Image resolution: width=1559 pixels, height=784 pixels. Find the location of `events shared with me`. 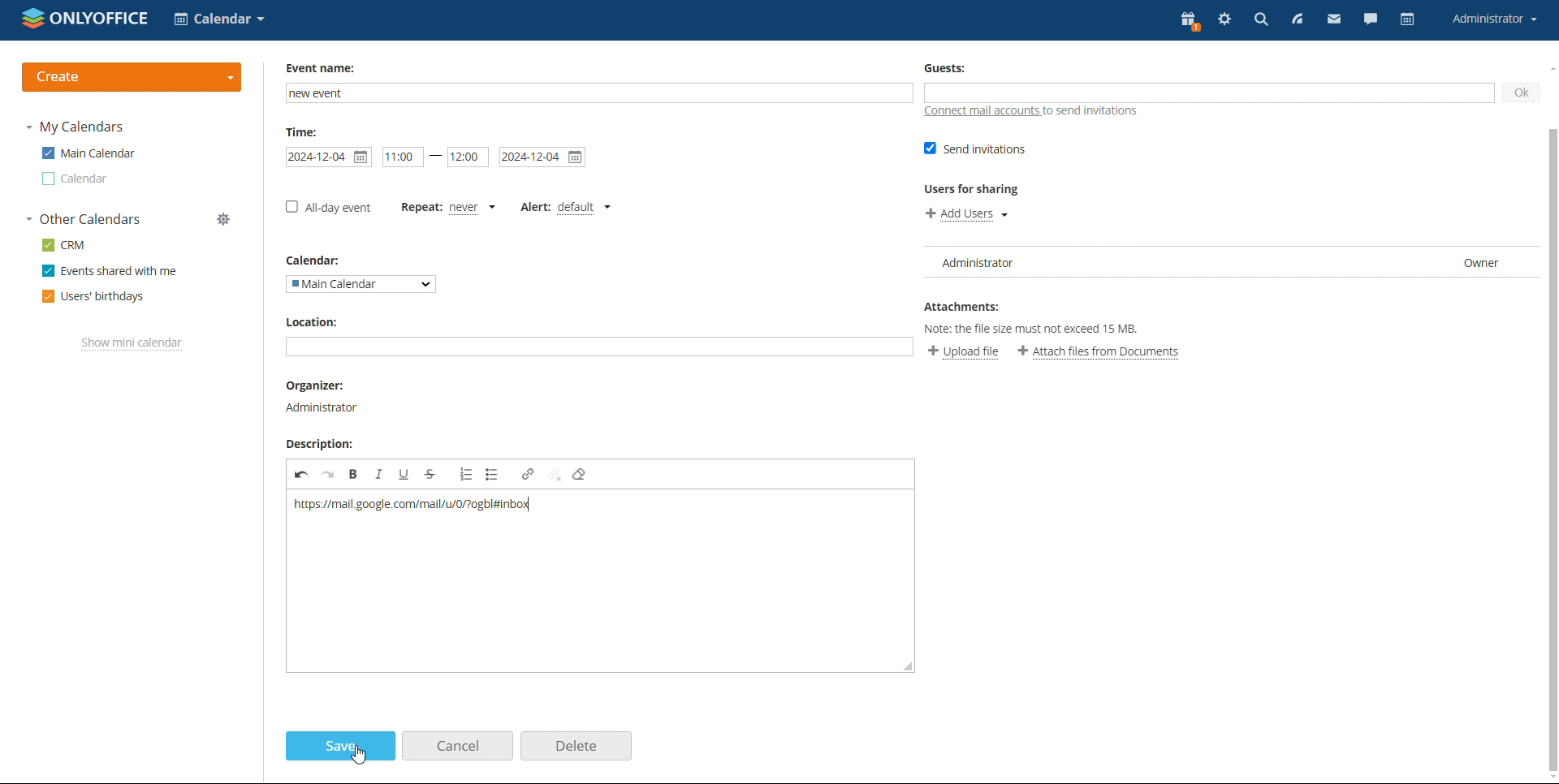

events shared with me is located at coordinates (110, 271).